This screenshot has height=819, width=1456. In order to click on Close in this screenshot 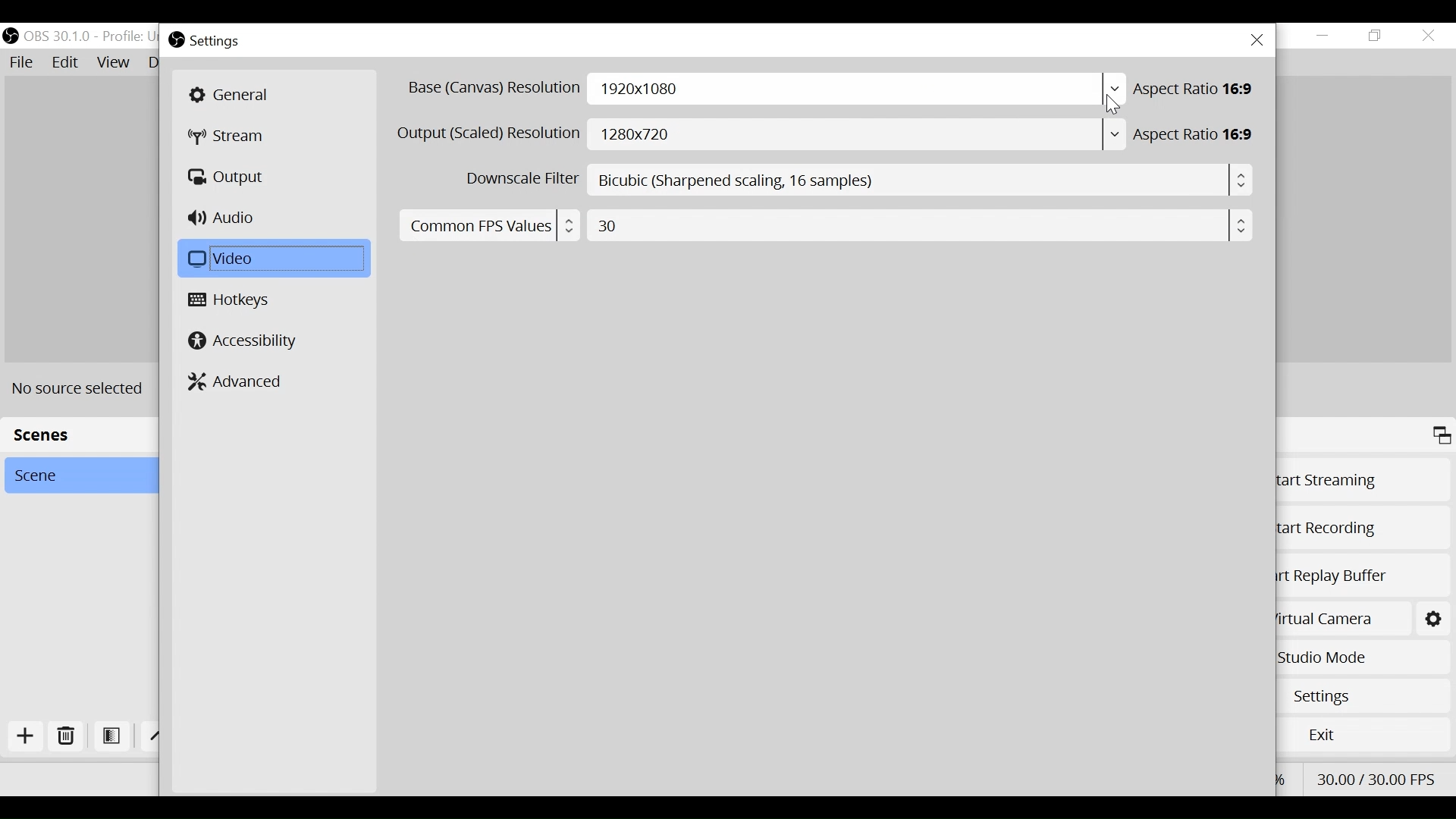, I will do `click(1428, 35)`.